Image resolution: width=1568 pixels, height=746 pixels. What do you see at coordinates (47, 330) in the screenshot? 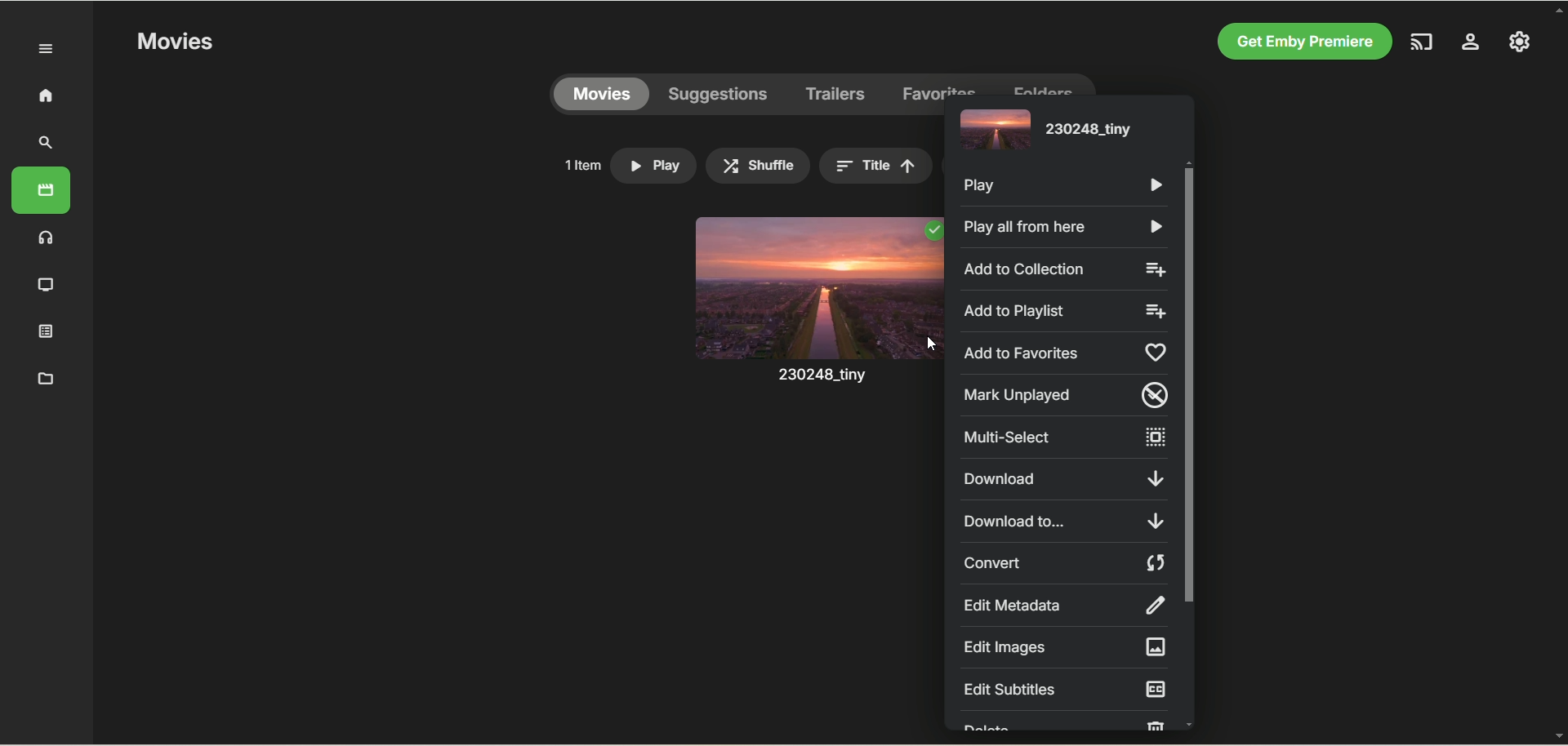
I see `playlist` at bounding box center [47, 330].